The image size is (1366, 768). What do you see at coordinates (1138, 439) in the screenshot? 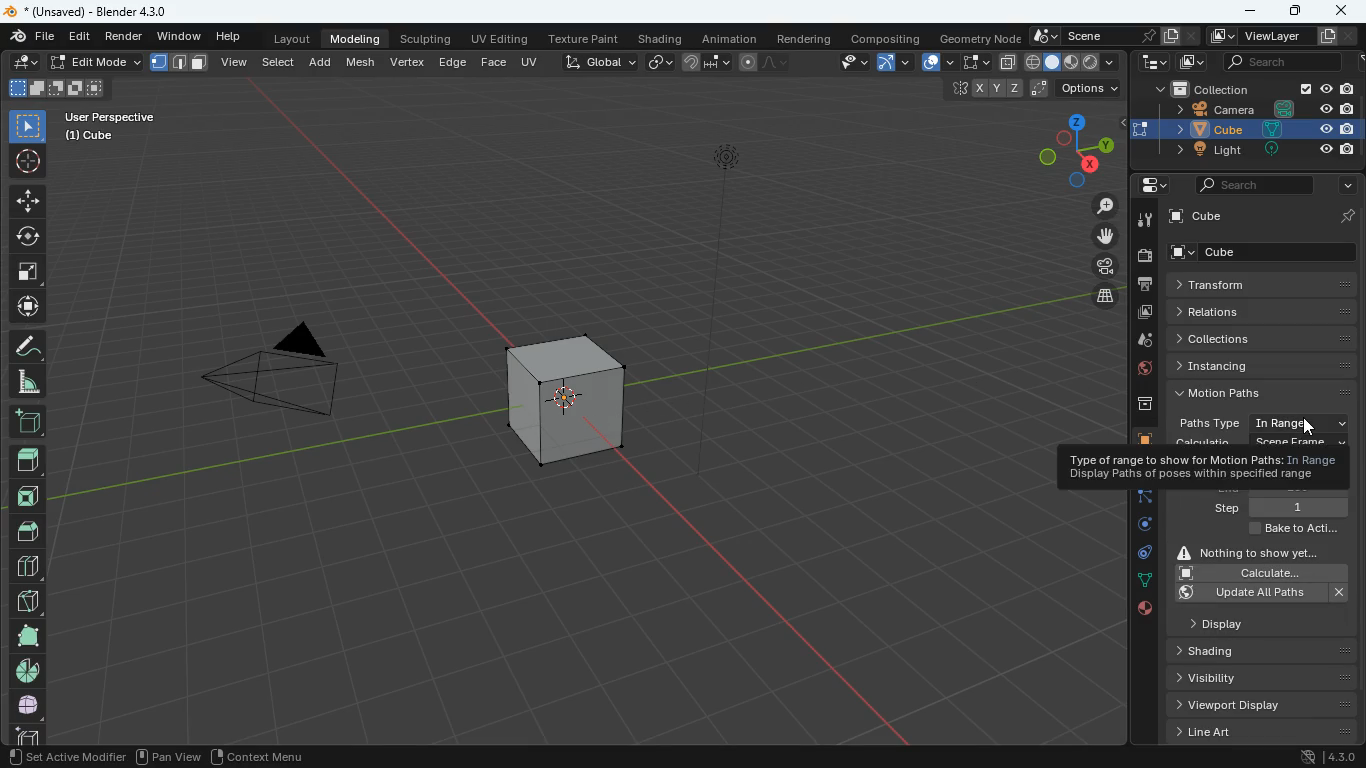
I see `cube` at bounding box center [1138, 439].